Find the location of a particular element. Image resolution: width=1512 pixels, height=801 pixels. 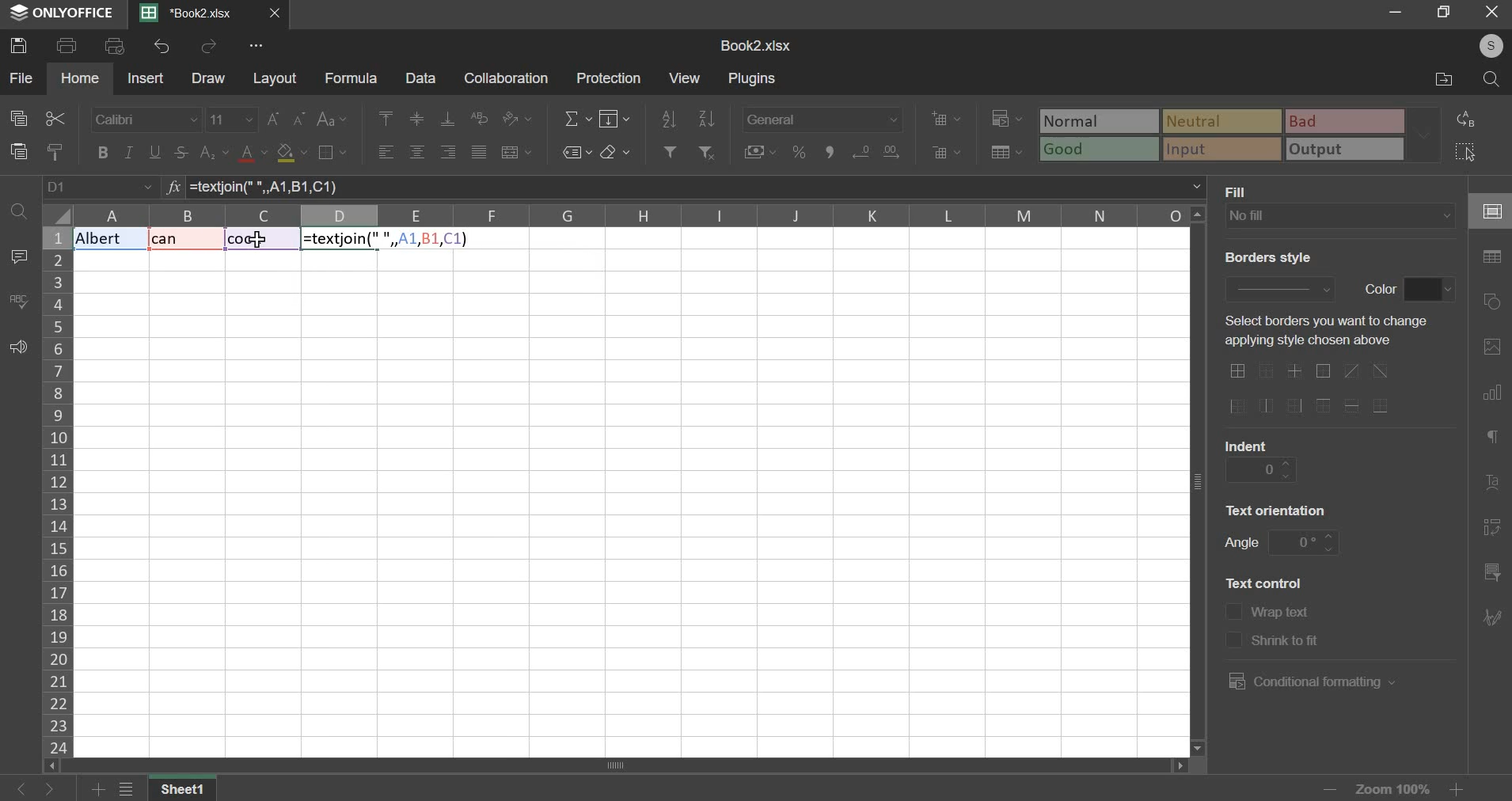

copy is located at coordinates (18, 119).